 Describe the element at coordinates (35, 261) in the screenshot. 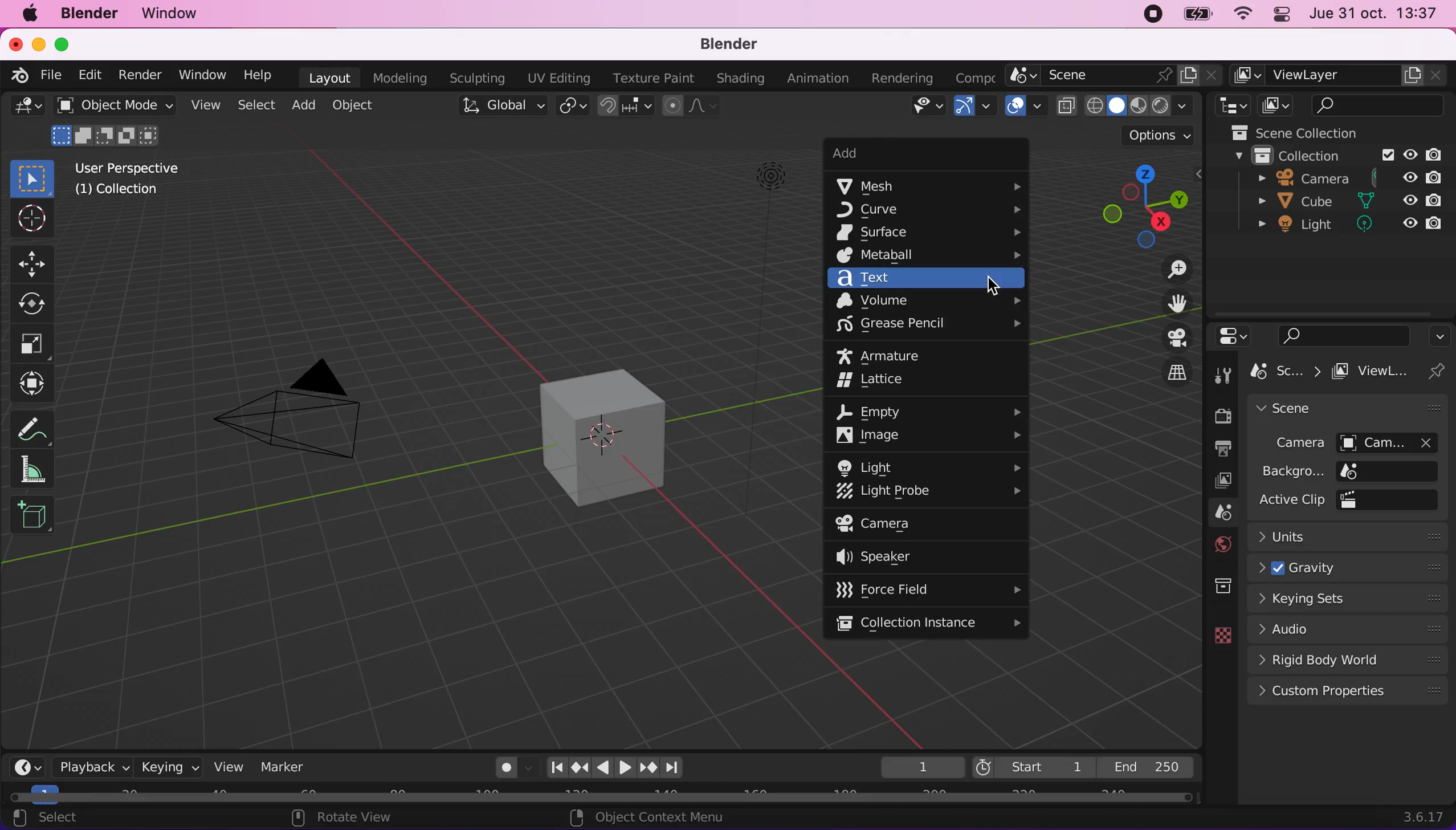

I see `move` at that location.